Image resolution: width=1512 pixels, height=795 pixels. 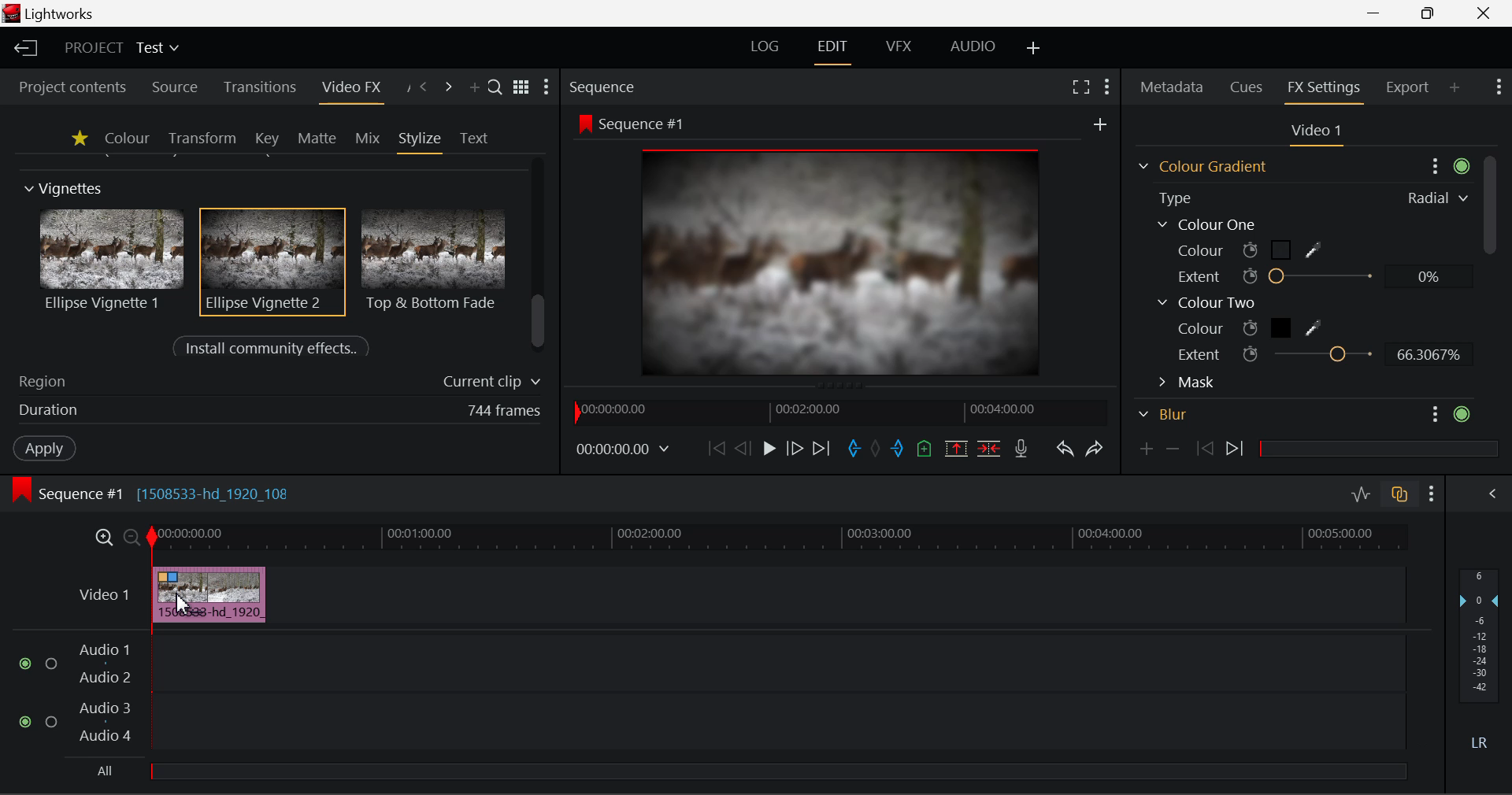 I want to click on Go Forward, so click(x=795, y=449).